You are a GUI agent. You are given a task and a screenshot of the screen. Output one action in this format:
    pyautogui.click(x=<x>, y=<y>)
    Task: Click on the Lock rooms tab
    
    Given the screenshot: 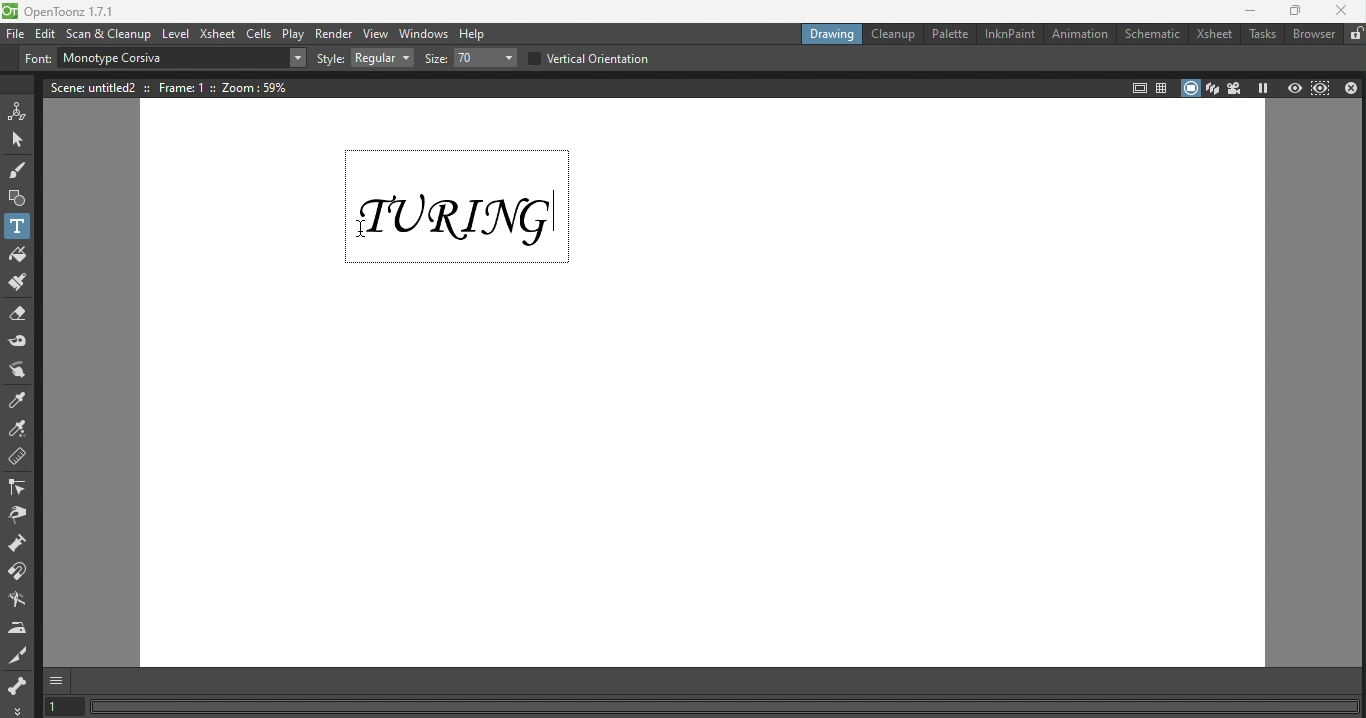 What is the action you would take?
    pyautogui.click(x=1354, y=35)
    